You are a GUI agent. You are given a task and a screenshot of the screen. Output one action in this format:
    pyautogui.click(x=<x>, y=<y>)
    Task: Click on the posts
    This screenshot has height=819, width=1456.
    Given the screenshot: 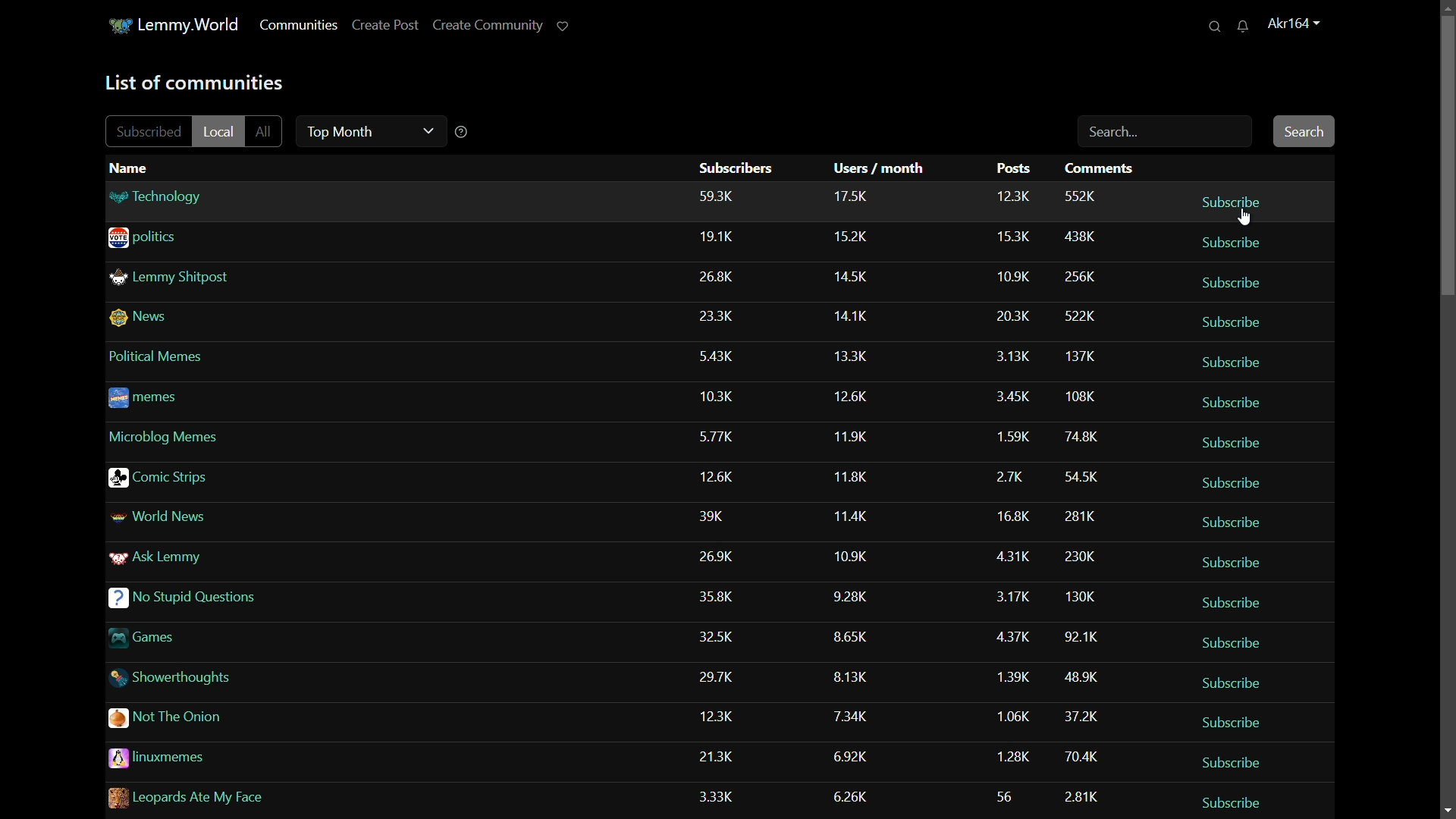 What is the action you would take?
    pyautogui.click(x=1012, y=512)
    